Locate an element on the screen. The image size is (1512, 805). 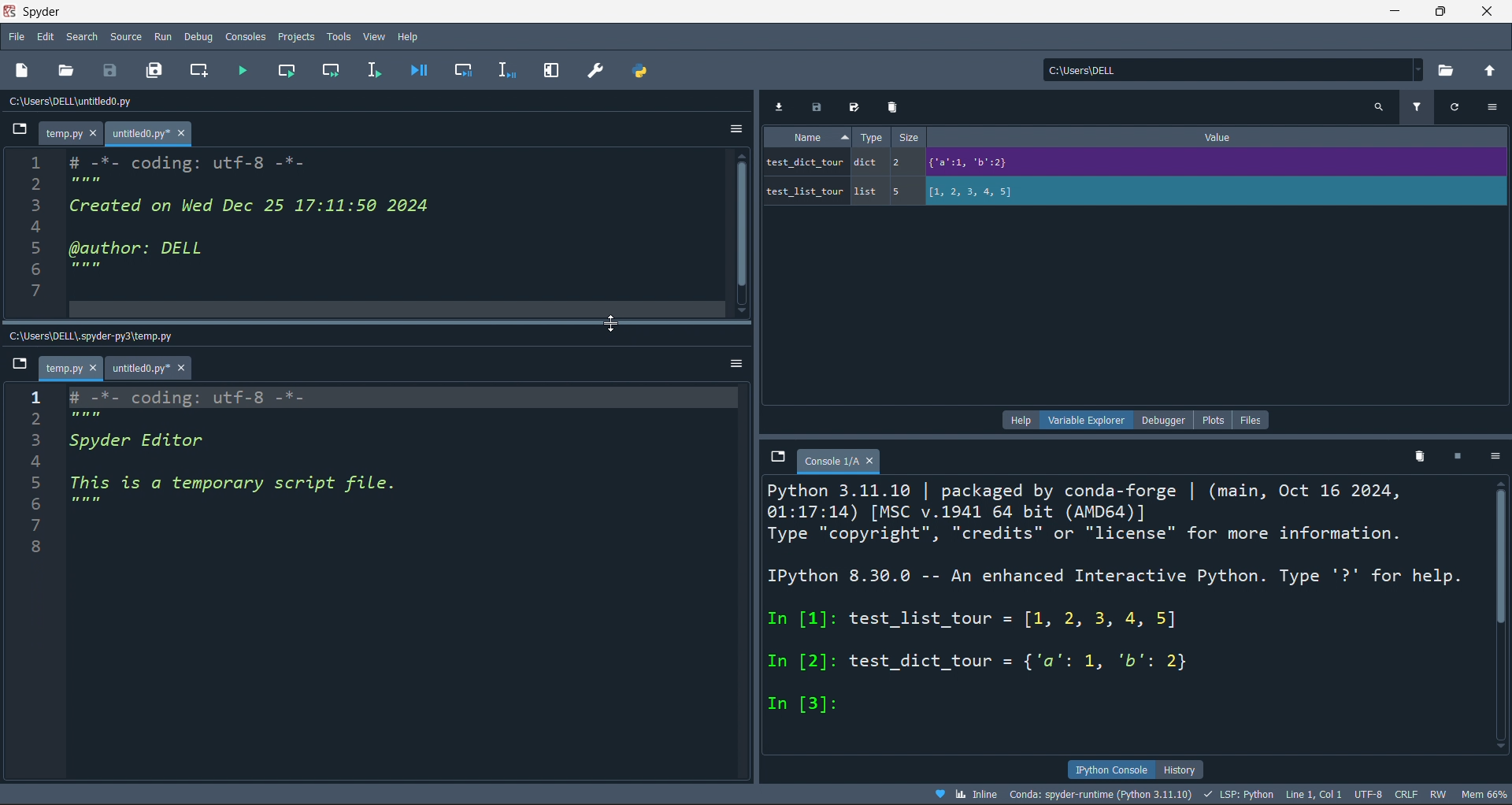
create new cell is located at coordinates (202, 69).